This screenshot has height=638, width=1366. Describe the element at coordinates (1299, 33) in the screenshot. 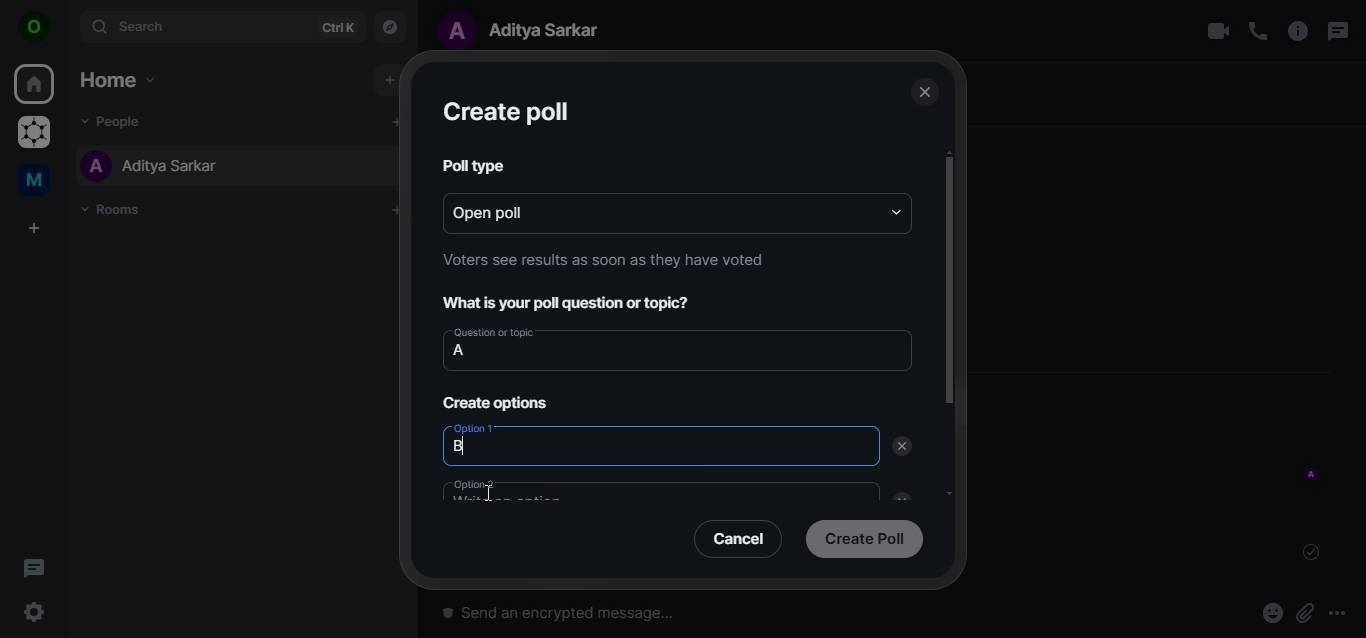

I see `room options` at that location.